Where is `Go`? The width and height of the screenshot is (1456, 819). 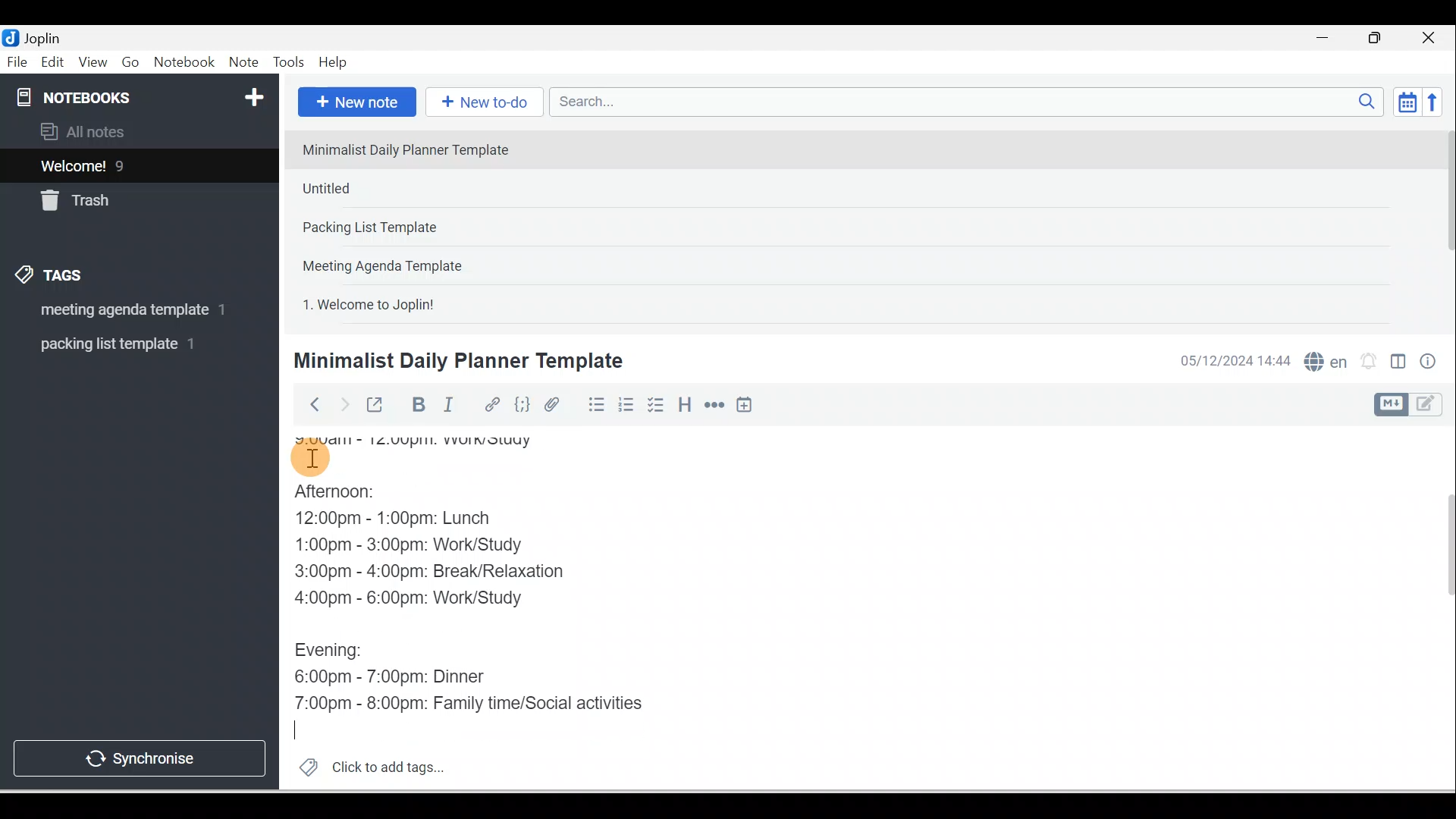
Go is located at coordinates (133, 63).